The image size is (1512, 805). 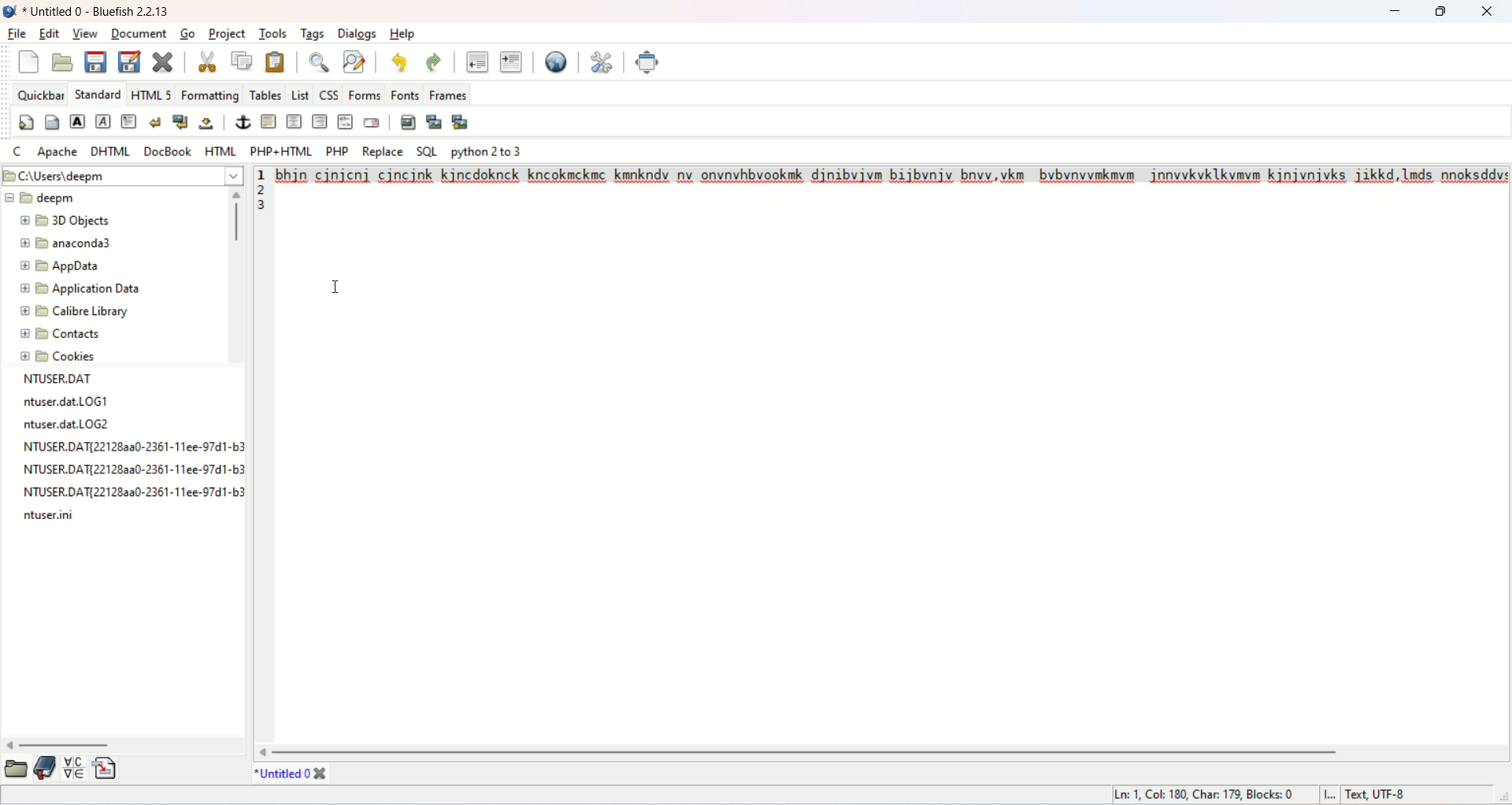 I want to click on cut, so click(x=207, y=61).